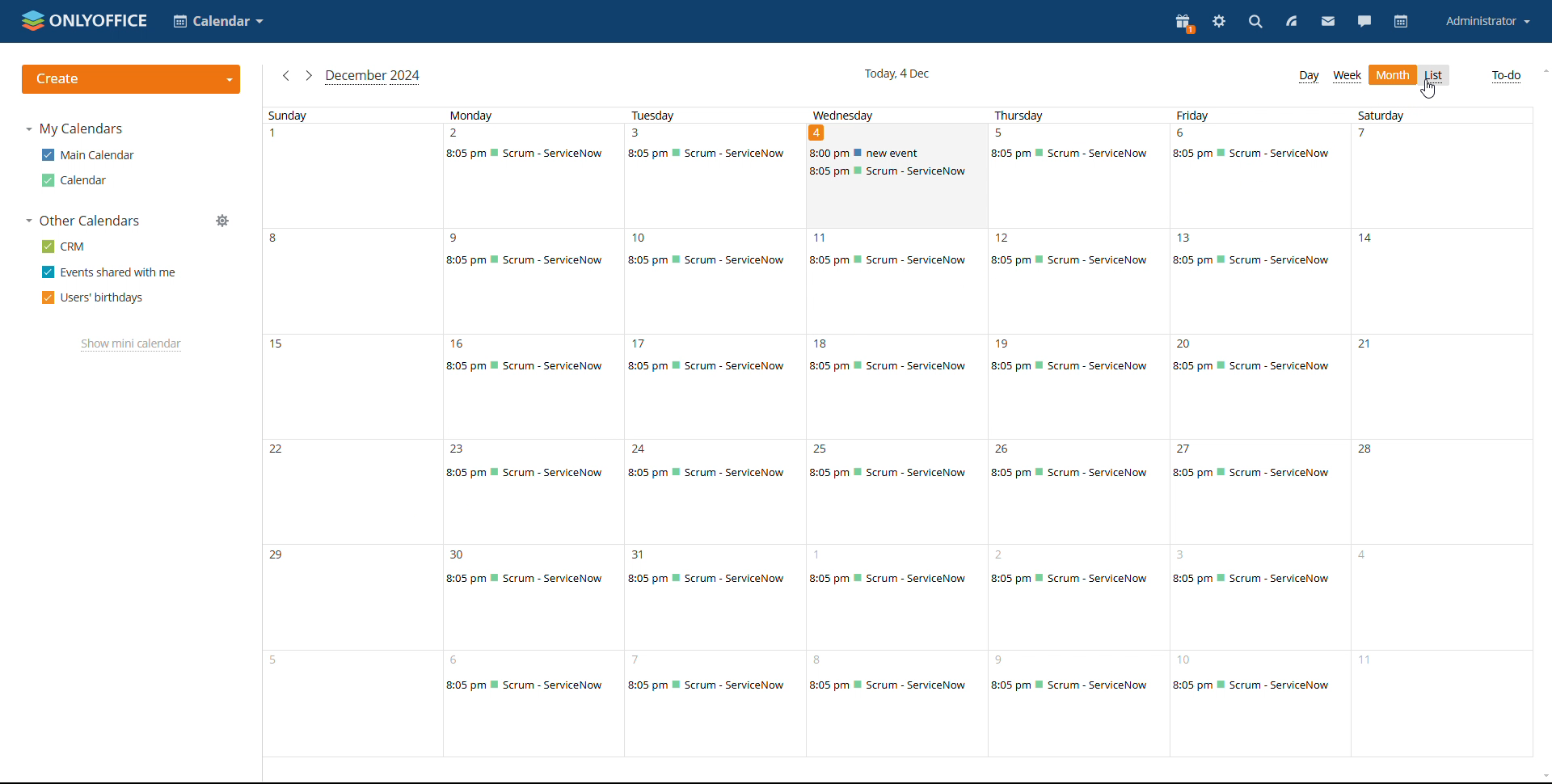  I want to click on settings, so click(1220, 23).